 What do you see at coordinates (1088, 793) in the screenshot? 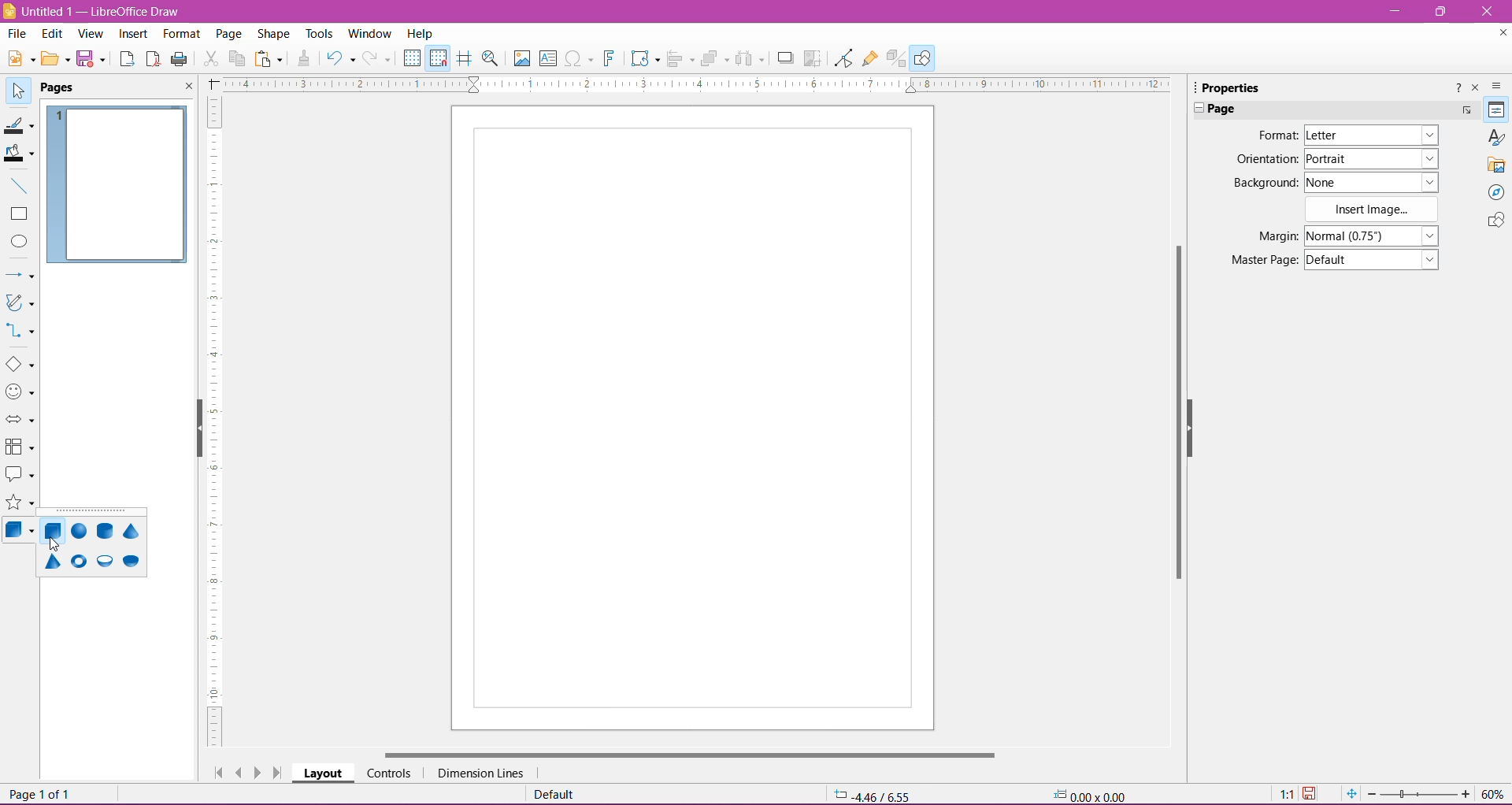
I see `Selected Object Size` at bounding box center [1088, 793].